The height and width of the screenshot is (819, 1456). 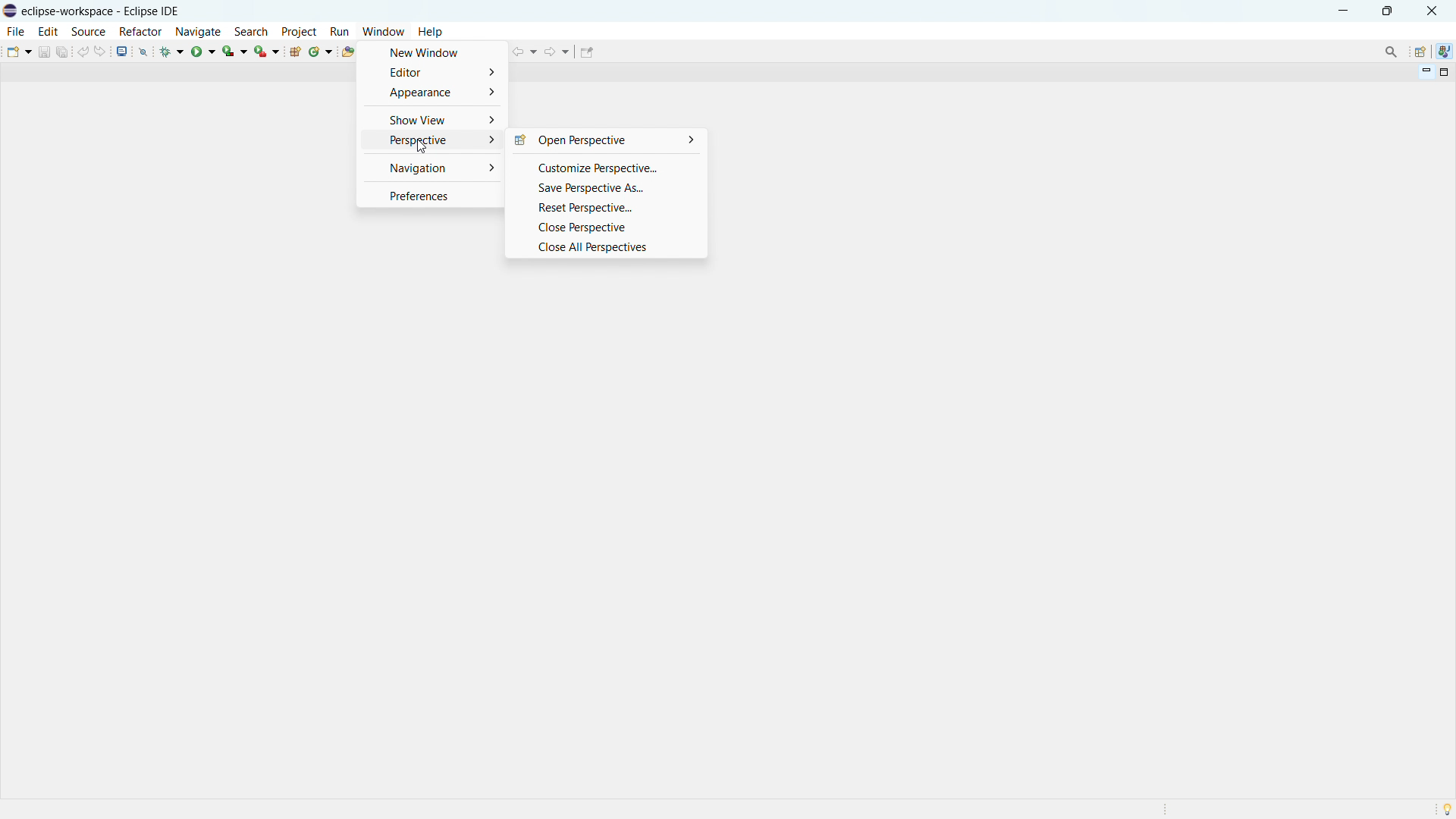 What do you see at coordinates (431, 142) in the screenshot?
I see `perspective` at bounding box center [431, 142].